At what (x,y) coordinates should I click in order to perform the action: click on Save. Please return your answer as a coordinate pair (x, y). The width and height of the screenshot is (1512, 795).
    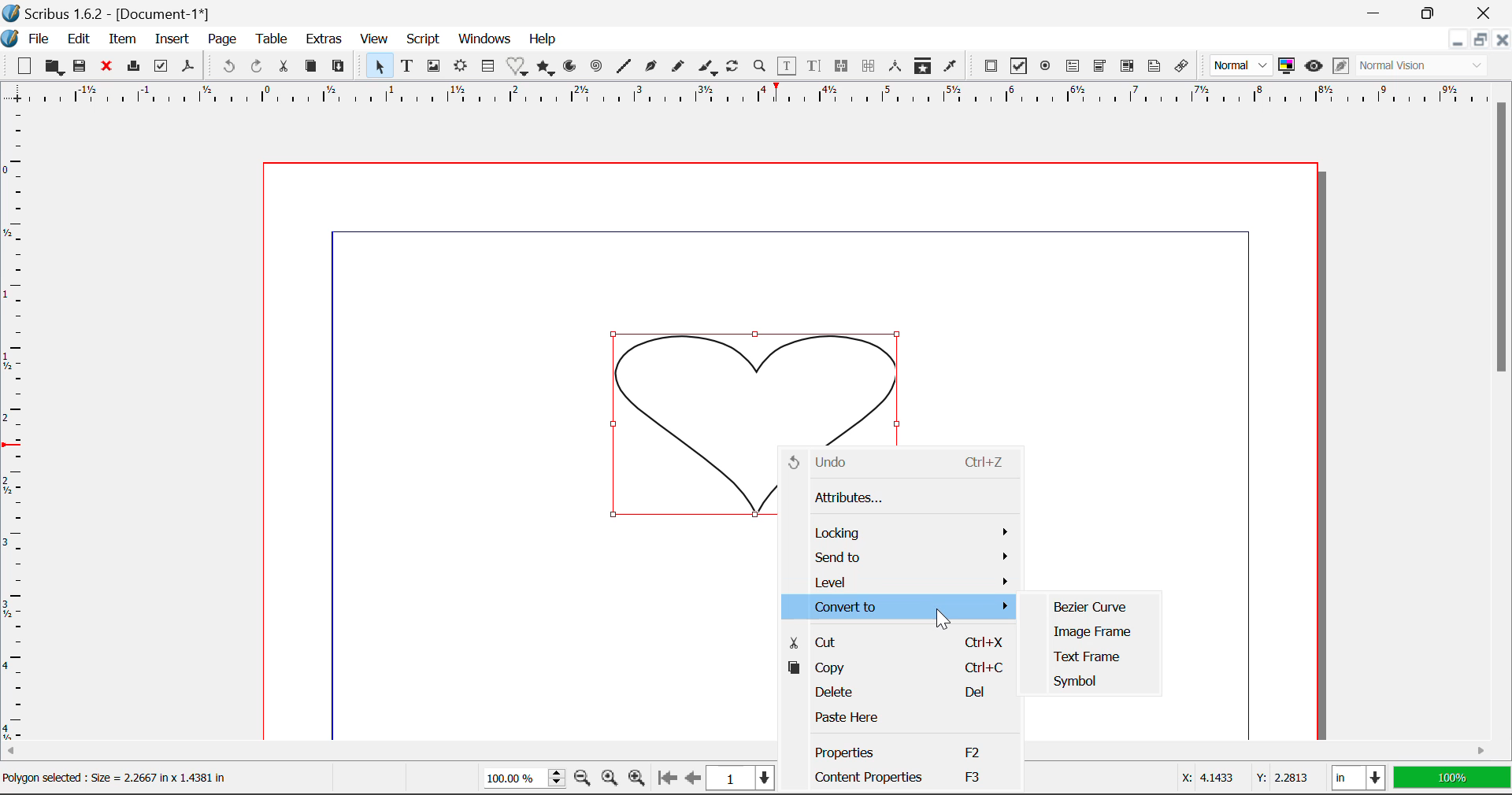
    Looking at the image, I should click on (84, 68).